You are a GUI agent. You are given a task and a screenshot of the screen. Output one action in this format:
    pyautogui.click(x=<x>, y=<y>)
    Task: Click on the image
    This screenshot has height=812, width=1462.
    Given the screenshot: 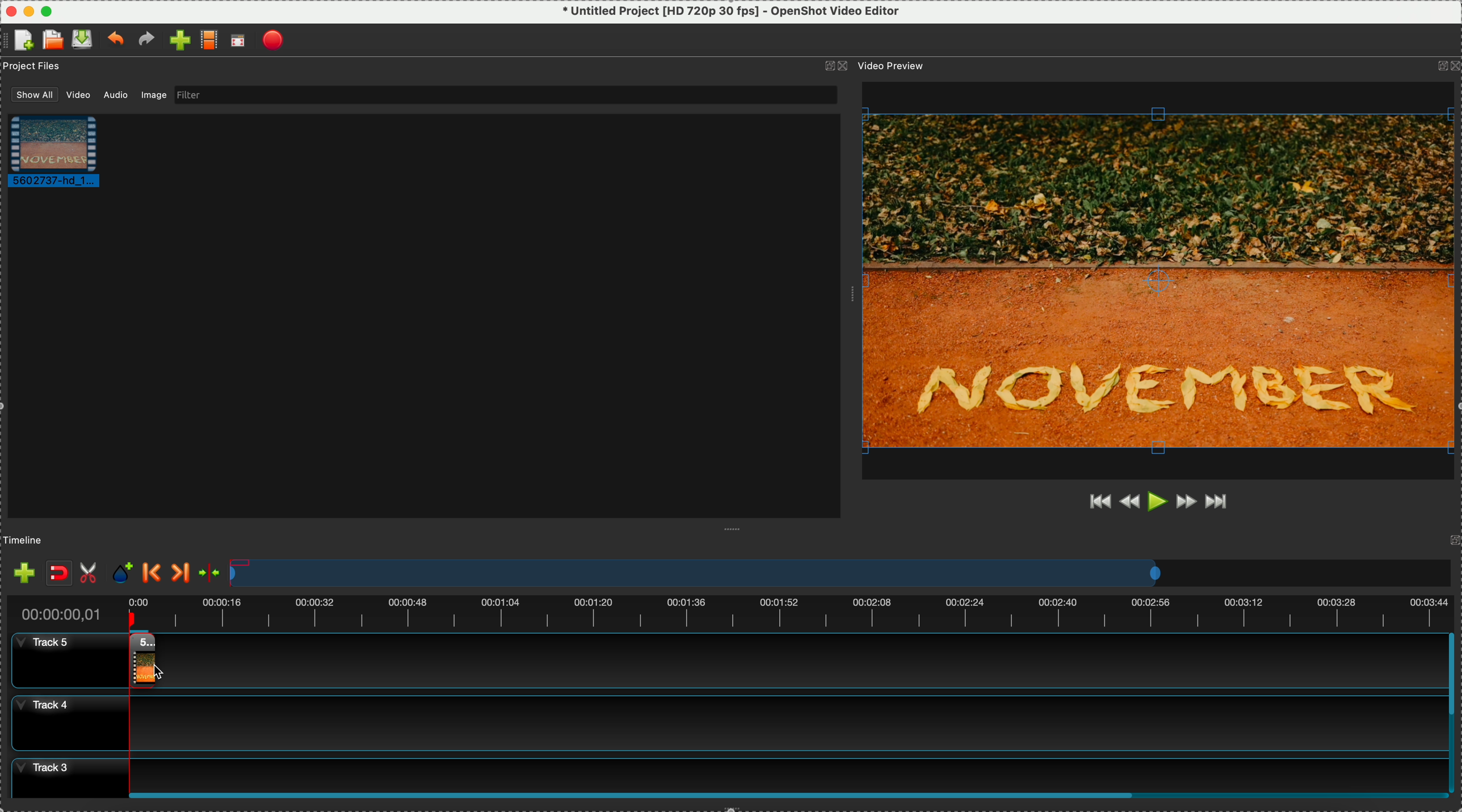 What is the action you would take?
    pyautogui.click(x=156, y=96)
    